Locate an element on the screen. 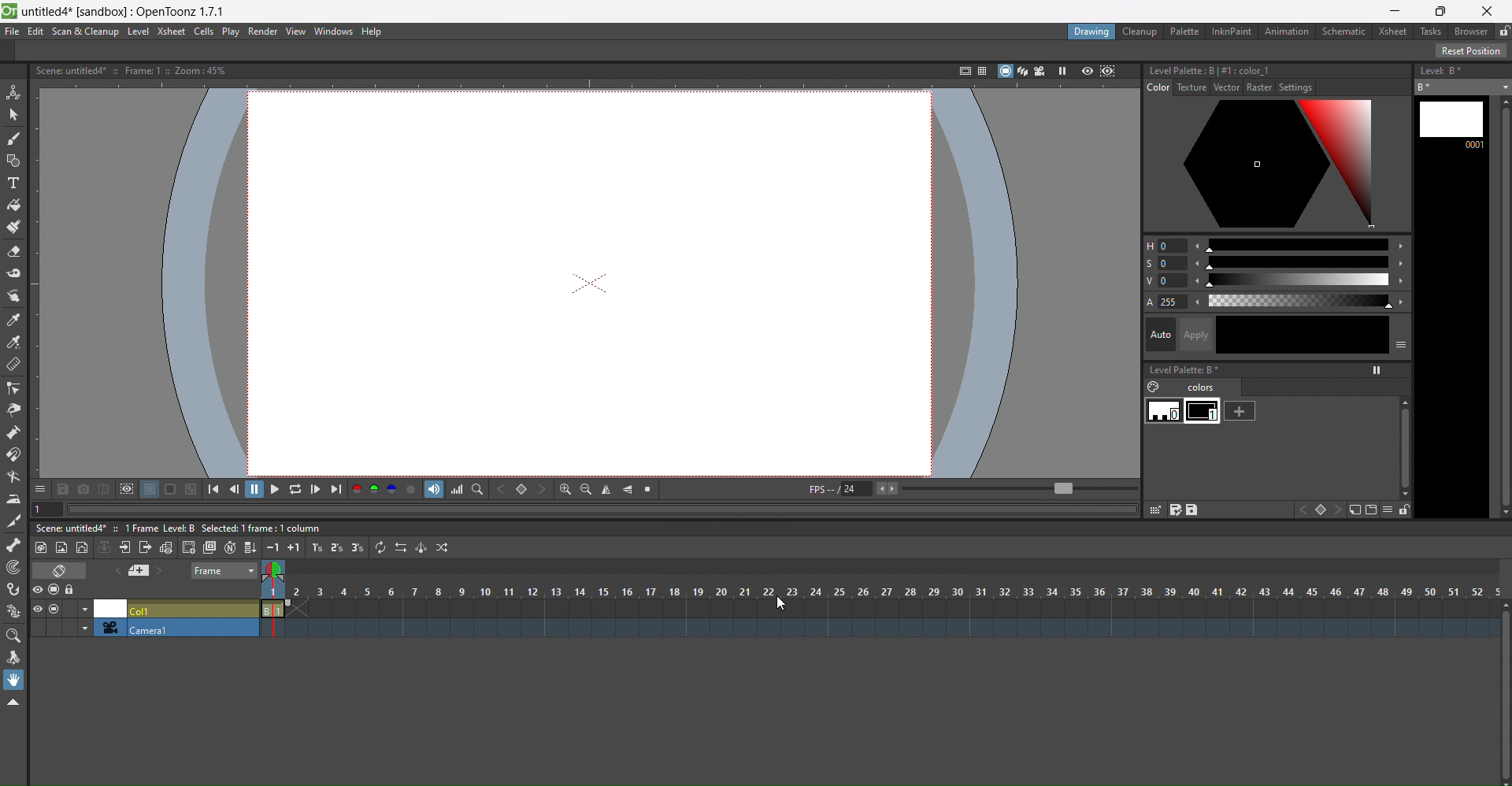 This screenshot has width=1512, height=786. options and lock is located at coordinates (1396, 510).